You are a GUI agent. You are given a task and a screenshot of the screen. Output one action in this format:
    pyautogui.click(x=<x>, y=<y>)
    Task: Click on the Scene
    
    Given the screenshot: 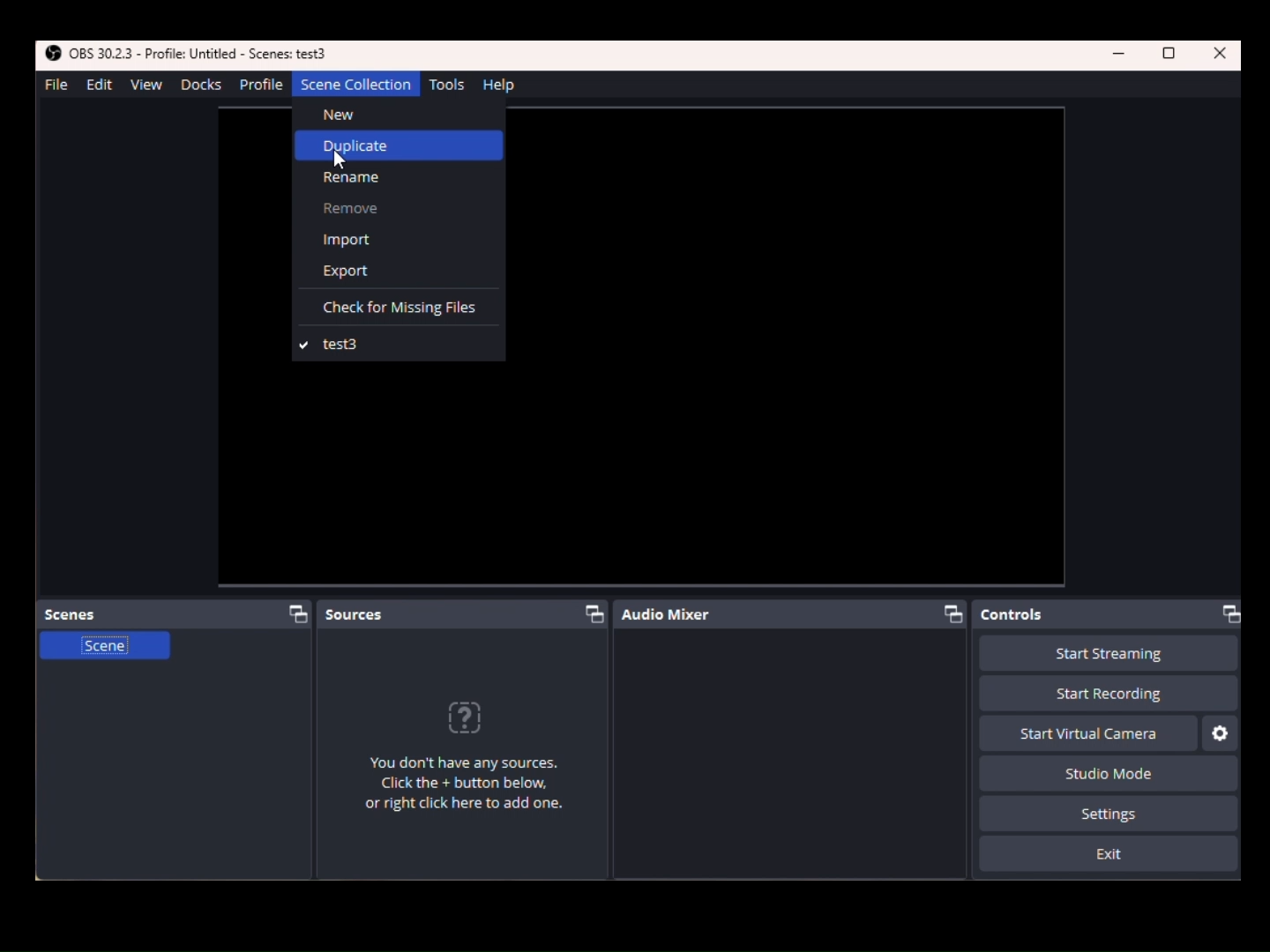 What is the action you would take?
    pyautogui.click(x=103, y=652)
    